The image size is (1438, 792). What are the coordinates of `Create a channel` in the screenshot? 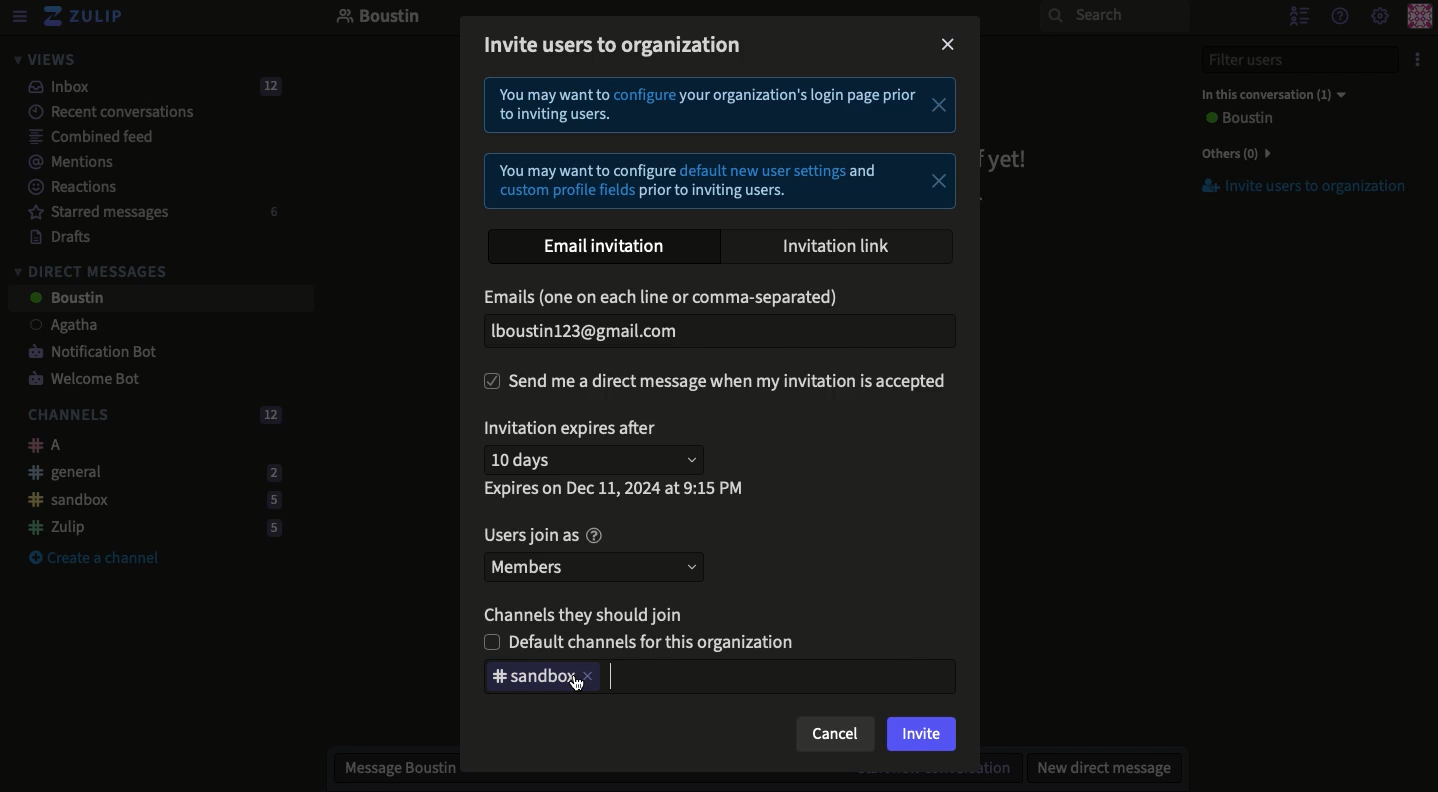 It's located at (94, 559).